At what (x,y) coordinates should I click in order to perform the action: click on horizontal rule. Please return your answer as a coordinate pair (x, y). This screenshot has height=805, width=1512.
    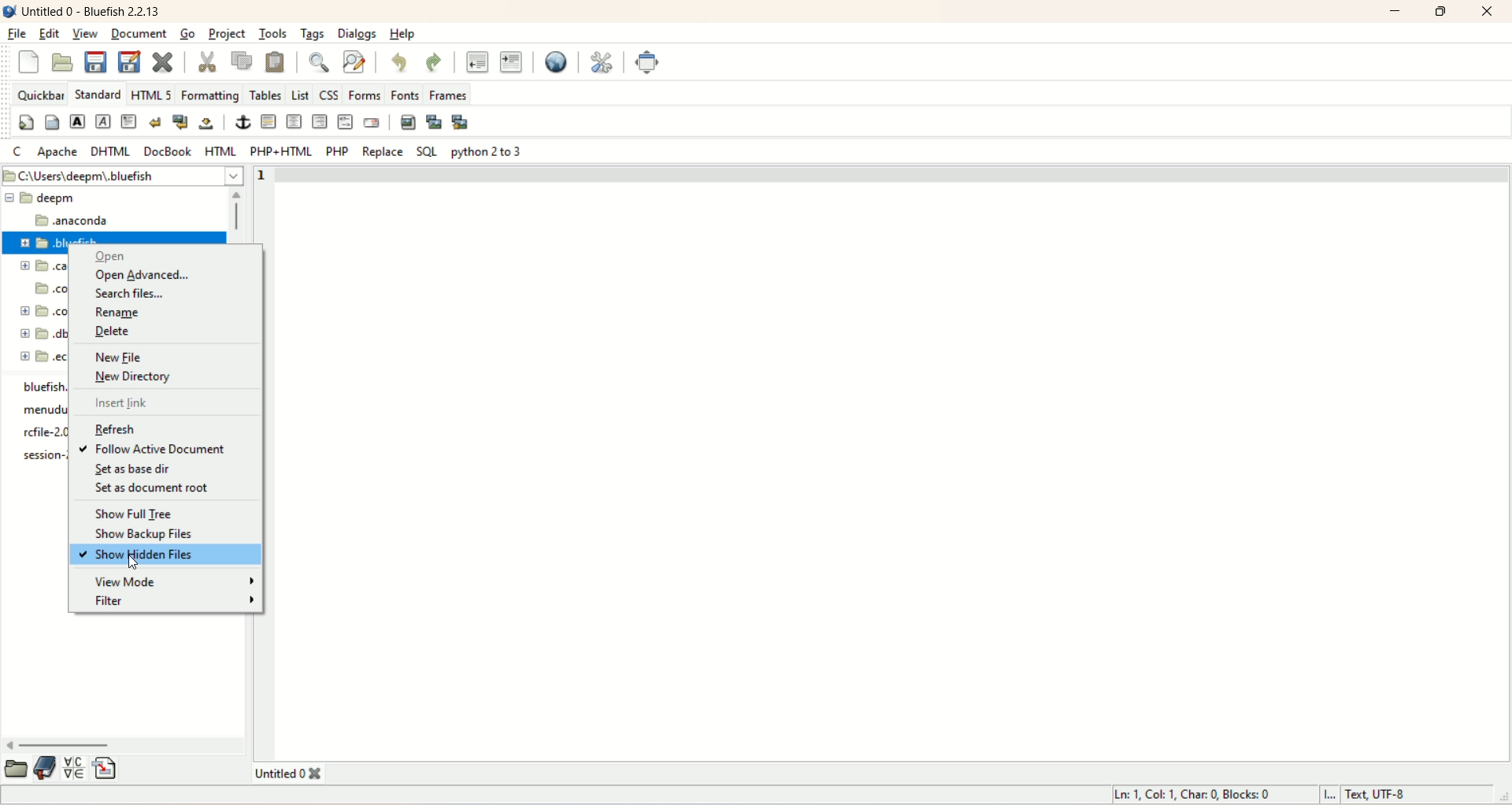
    Looking at the image, I should click on (269, 124).